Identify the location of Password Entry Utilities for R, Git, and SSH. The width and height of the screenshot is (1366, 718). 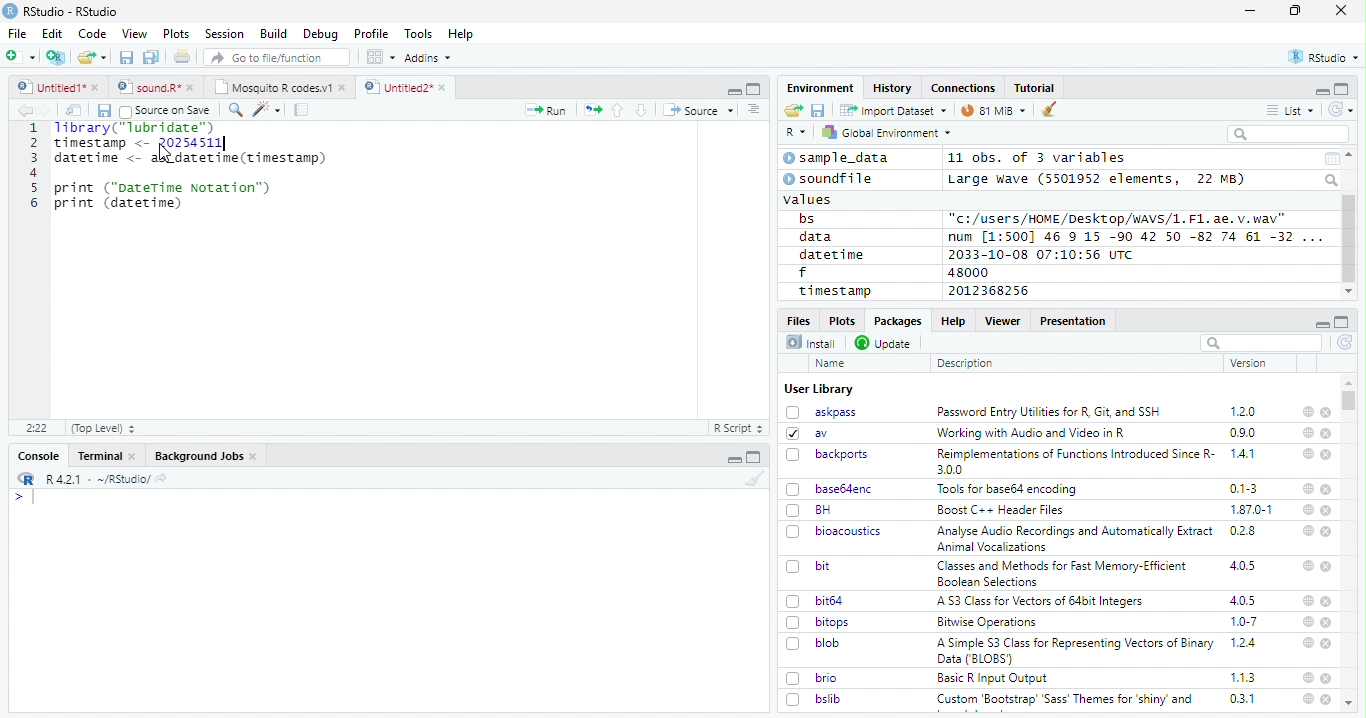
(1049, 412).